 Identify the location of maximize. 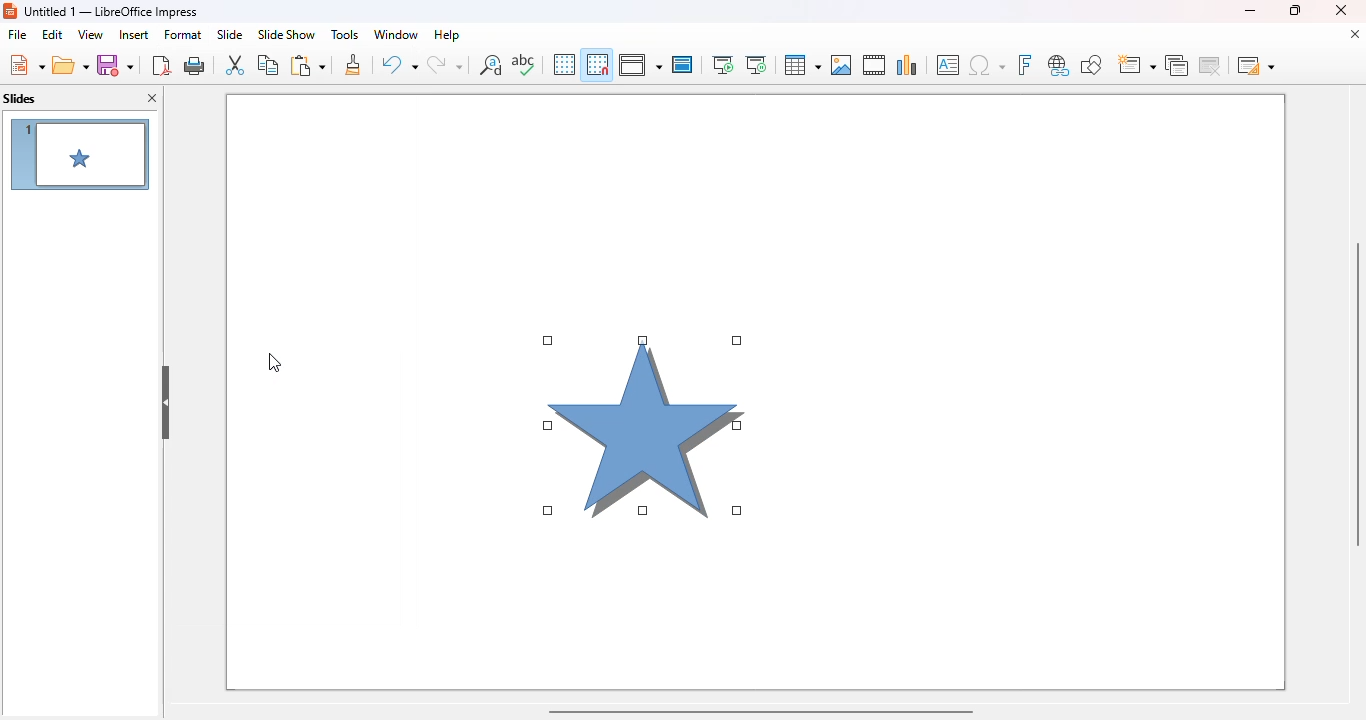
(1293, 10).